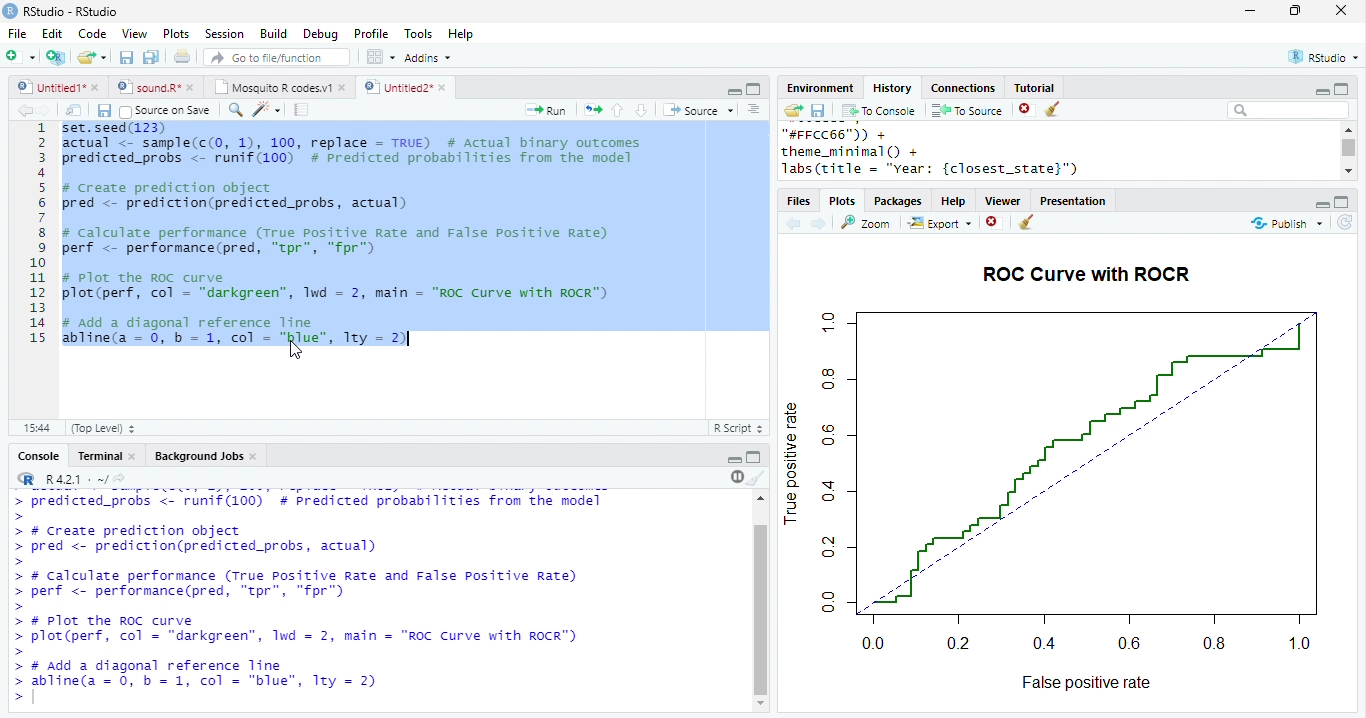 The width and height of the screenshot is (1366, 718). Describe the element at coordinates (323, 35) in the screenshot. I see `Debug` at that location.